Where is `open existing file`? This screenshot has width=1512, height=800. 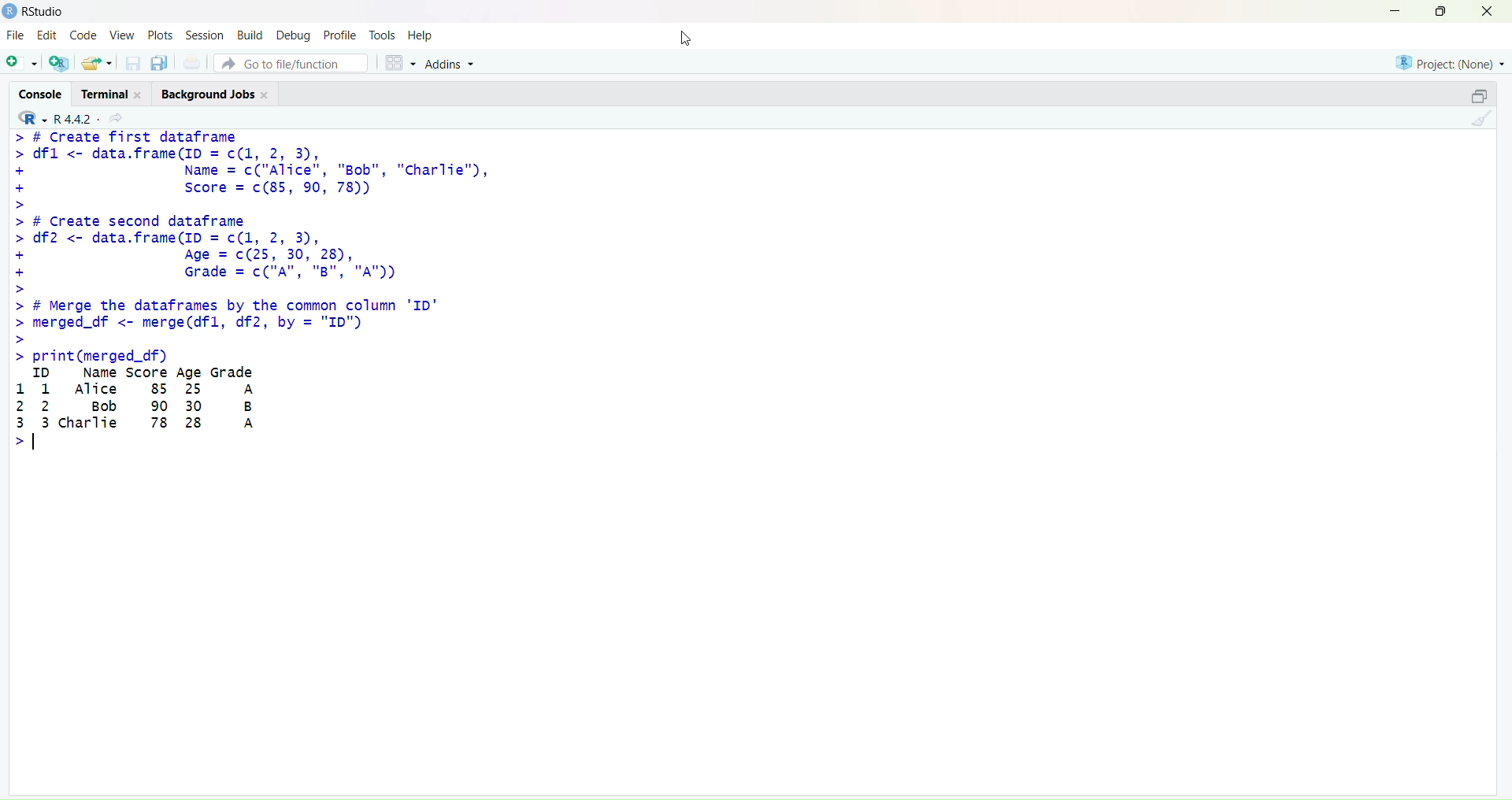 open existing file is located at coordinates (99, 63).